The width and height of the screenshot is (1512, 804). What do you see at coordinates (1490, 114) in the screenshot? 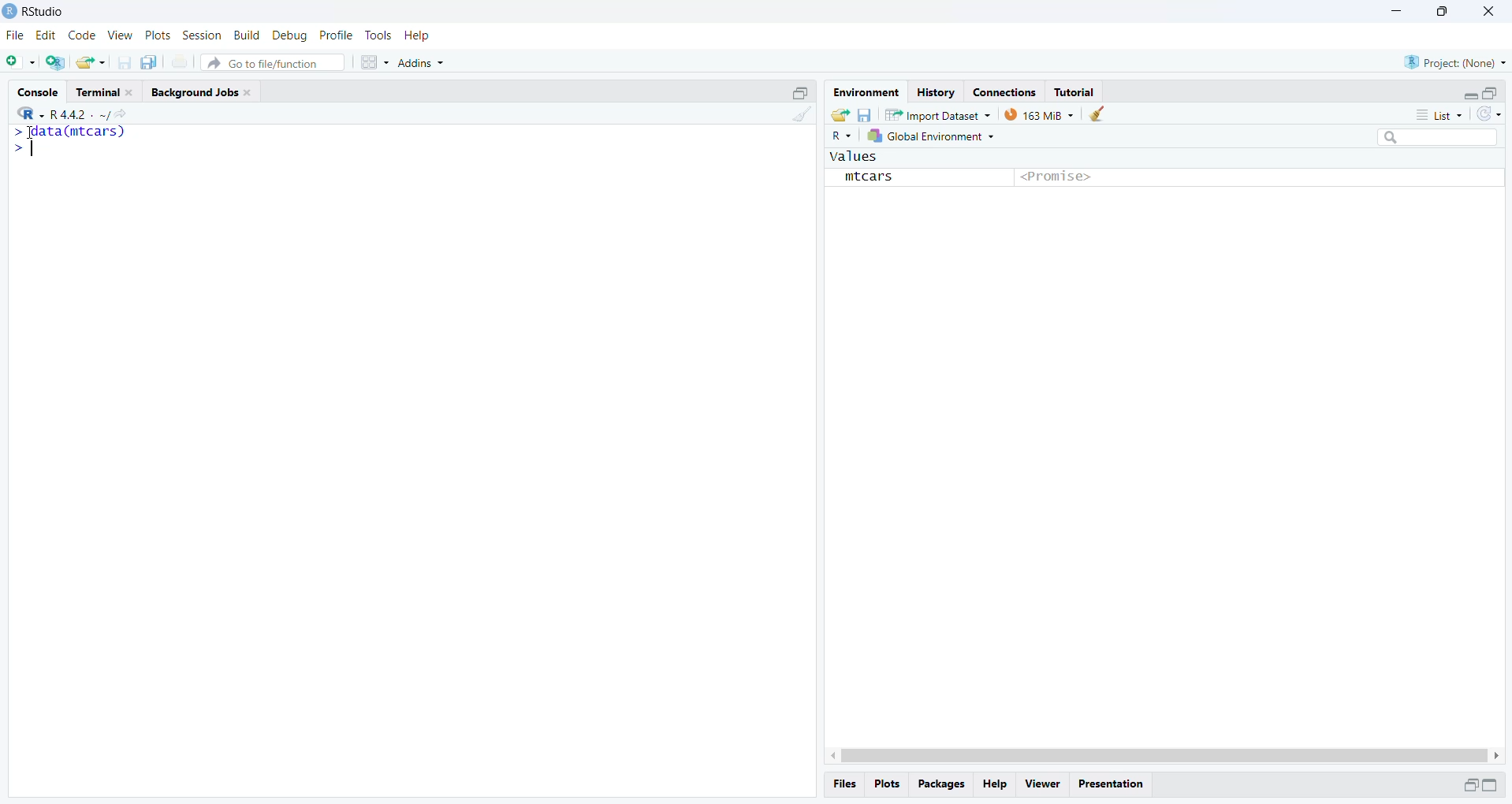
I see `sync` at bounding box center [1490, 114].